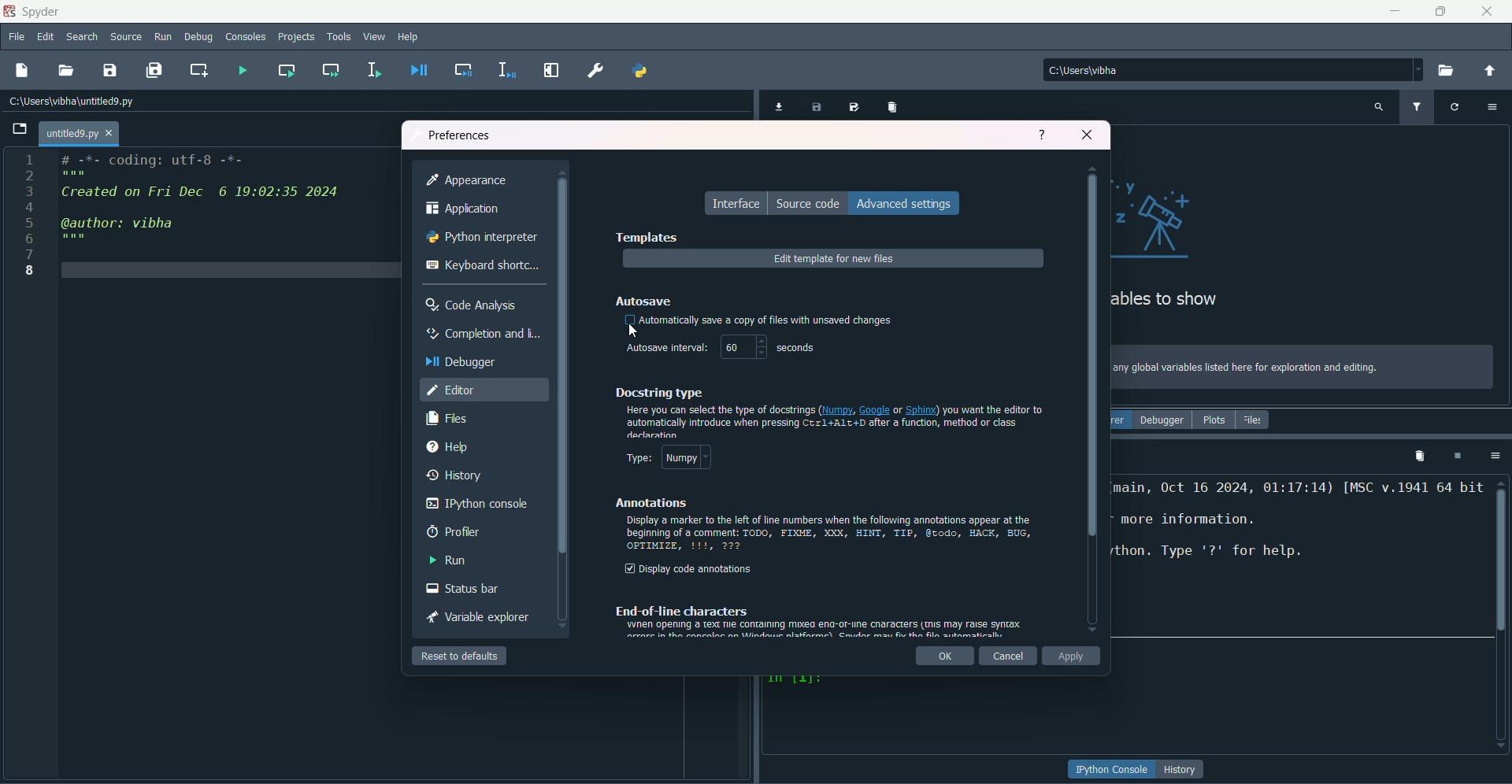 This screenshot has width=1512, height=784. What do you see at coordinates (831, 535) in the screenshot?
I see `text` at bounding box center [831, 535].